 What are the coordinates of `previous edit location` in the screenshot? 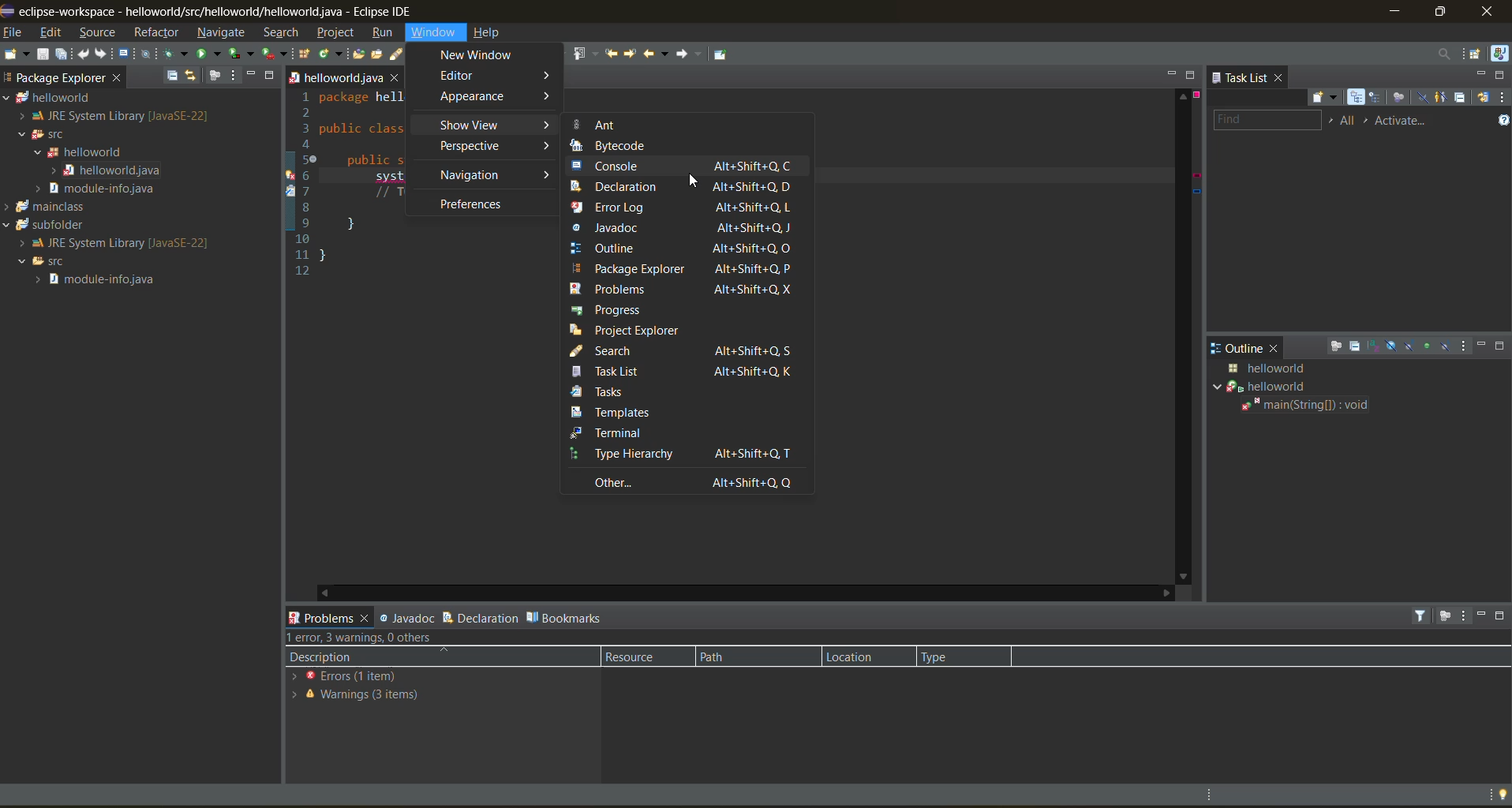 It's located at (612, 53).